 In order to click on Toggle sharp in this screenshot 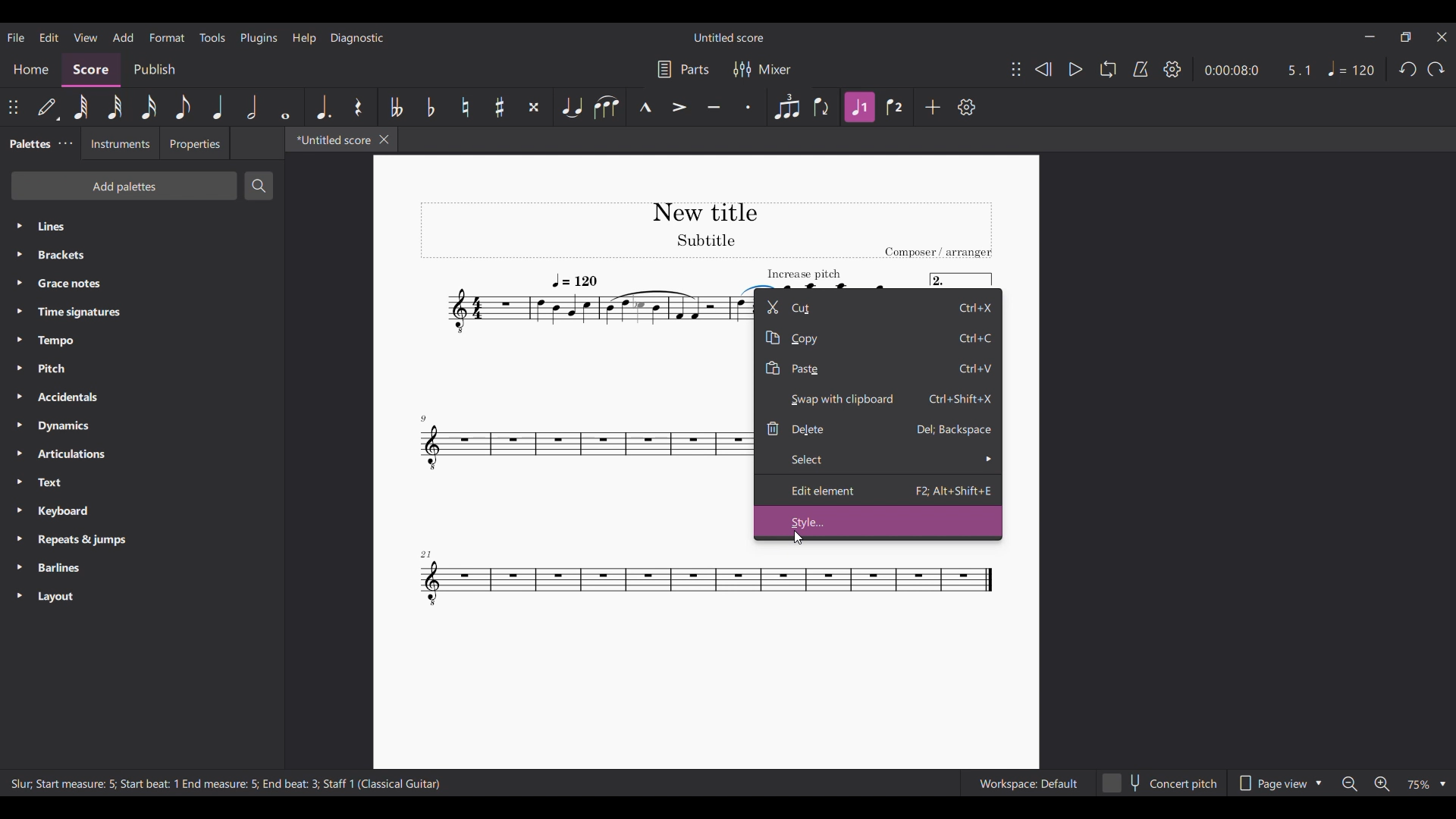, I will do `click(500, 107)`.